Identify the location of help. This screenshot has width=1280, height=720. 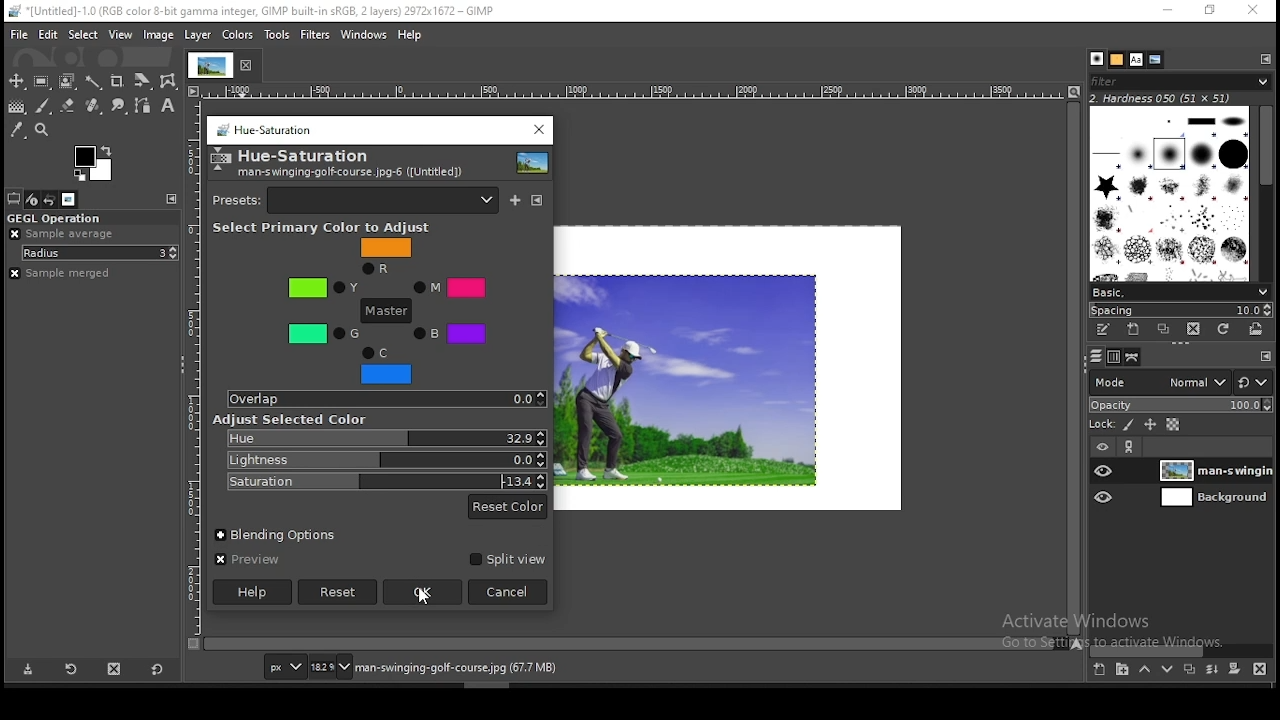
(252, 593).